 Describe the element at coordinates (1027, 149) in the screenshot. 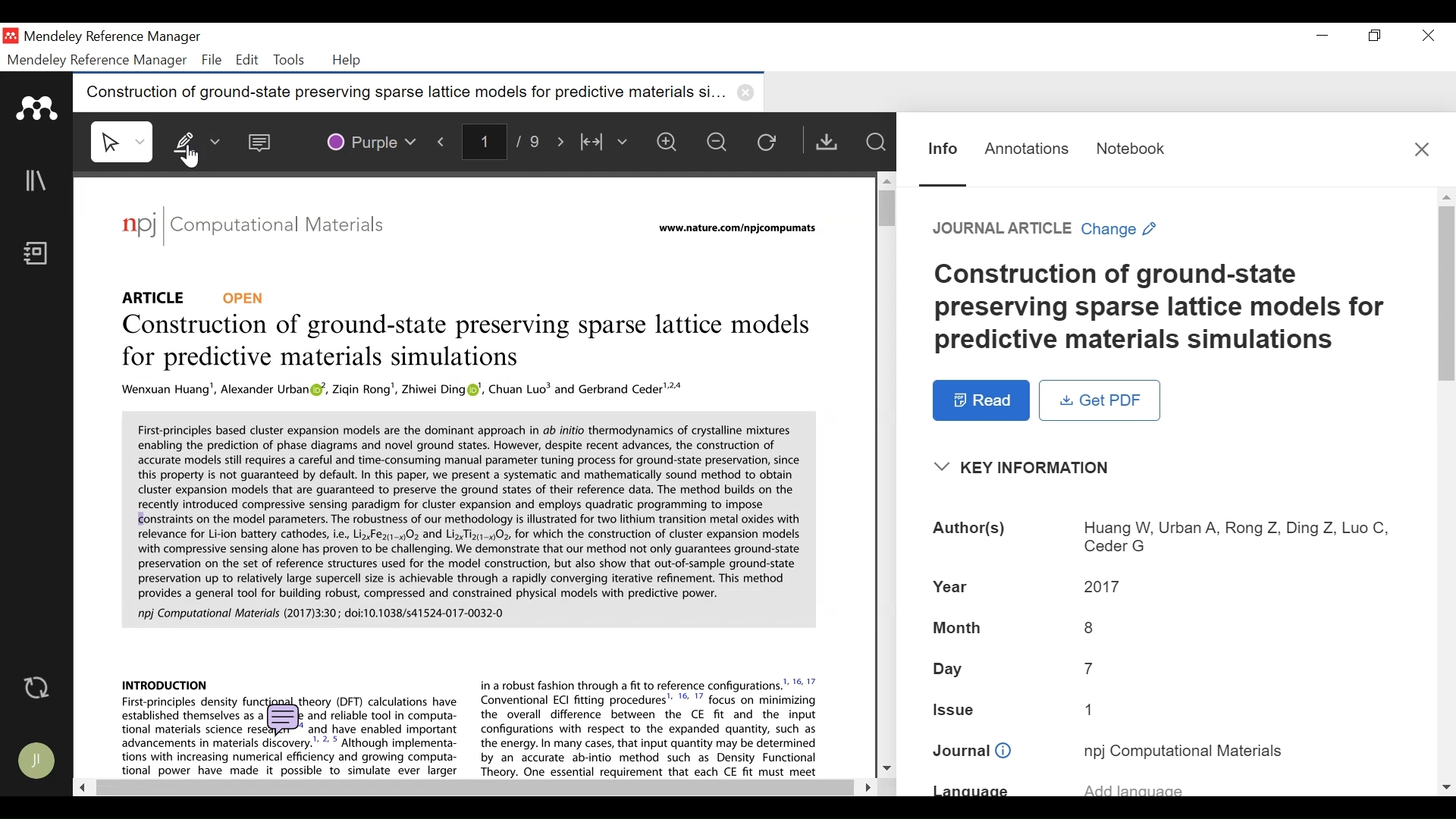

I see `Annotation` at that location.